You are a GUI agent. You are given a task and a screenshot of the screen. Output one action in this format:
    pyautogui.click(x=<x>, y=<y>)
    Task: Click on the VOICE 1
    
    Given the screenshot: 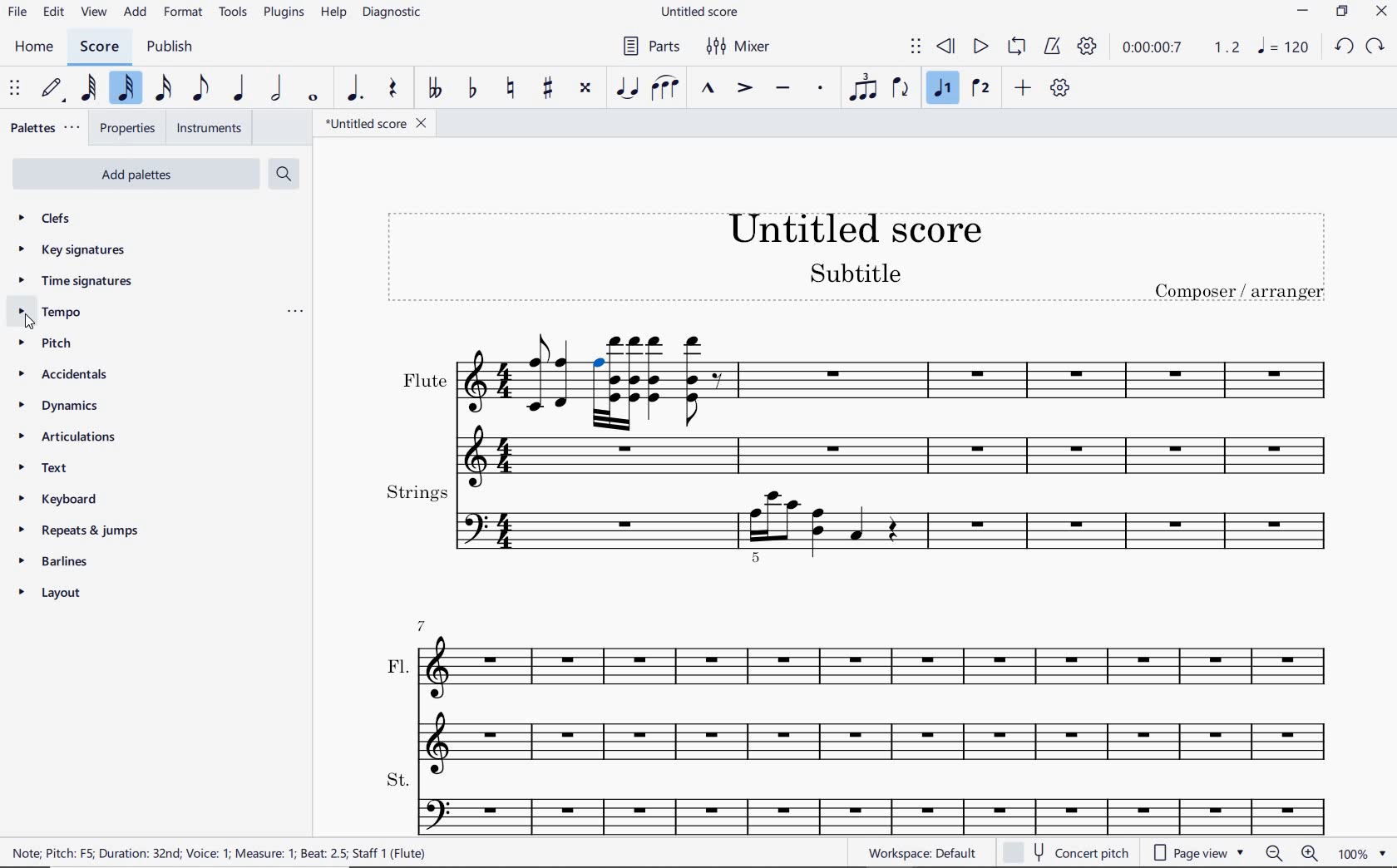 What is the action you would take?
    pyautogui.click(x=941, y=89)
    